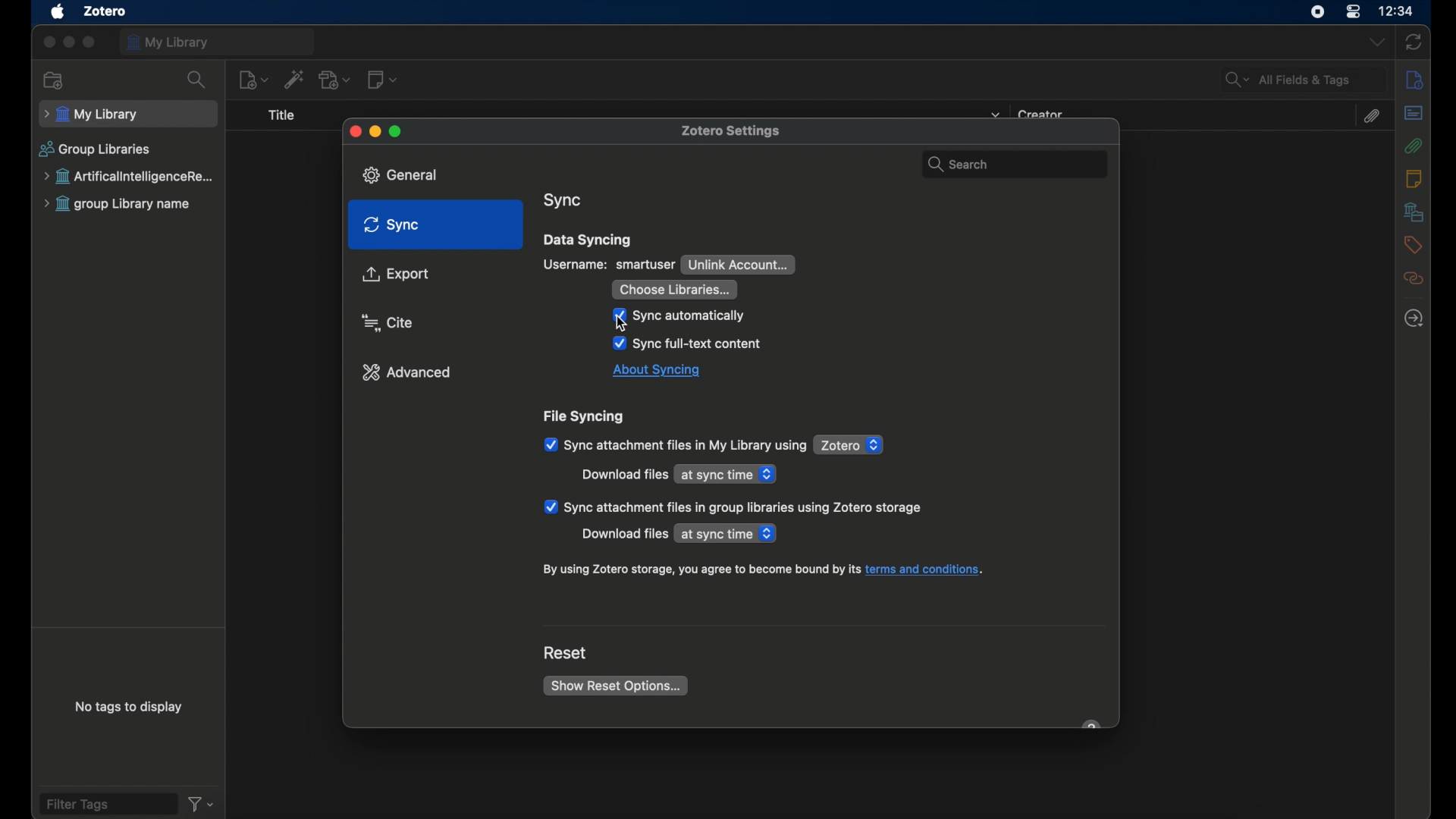  Describe the element at coordinates (254, 80) in the screenshot. I see `new item` at that location.